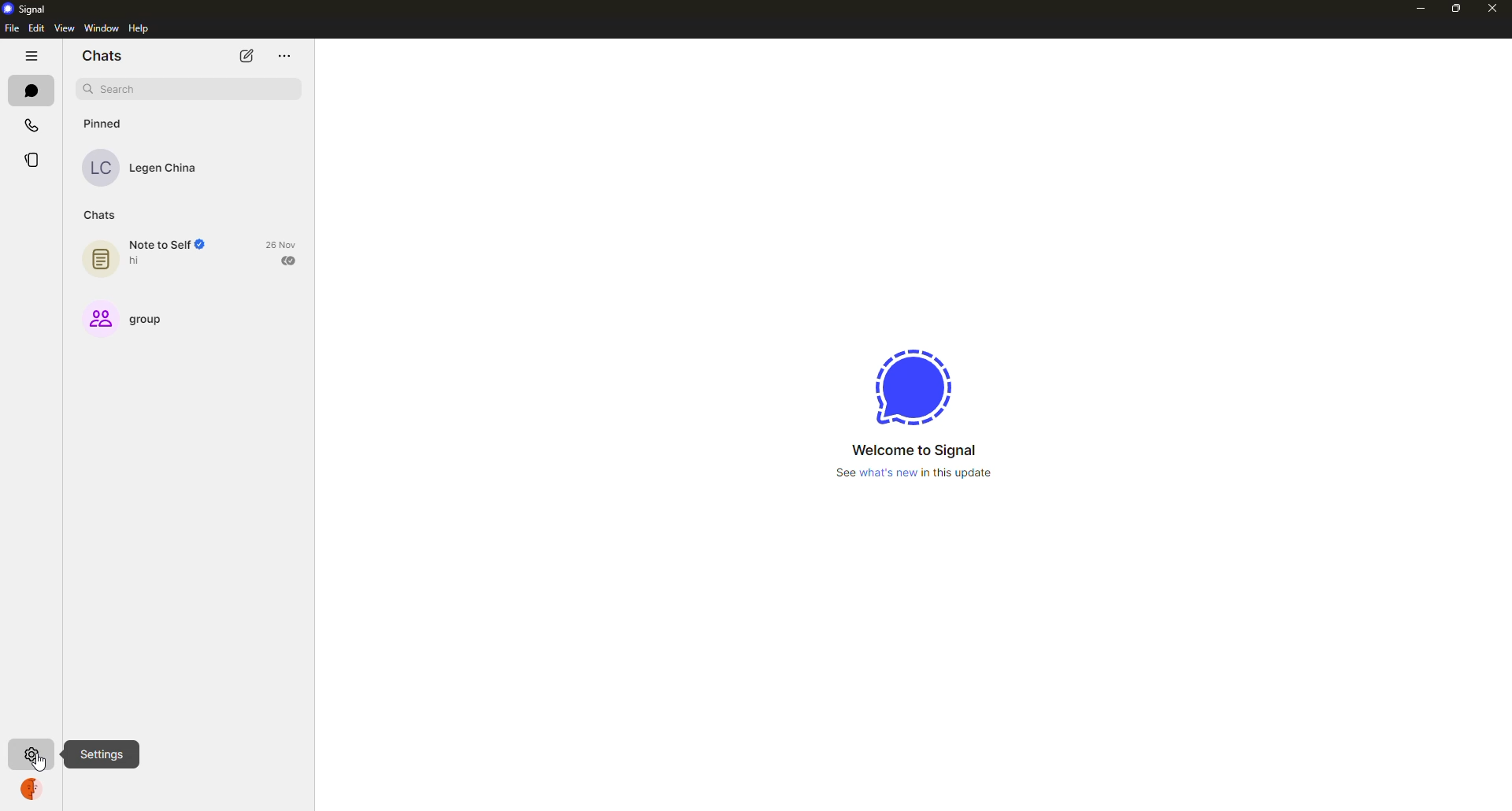 The image size is (1512, 811). What do you see at coordinates (100, 170) in the screenshot?
I see `LC` at bounding box center [100, 170].